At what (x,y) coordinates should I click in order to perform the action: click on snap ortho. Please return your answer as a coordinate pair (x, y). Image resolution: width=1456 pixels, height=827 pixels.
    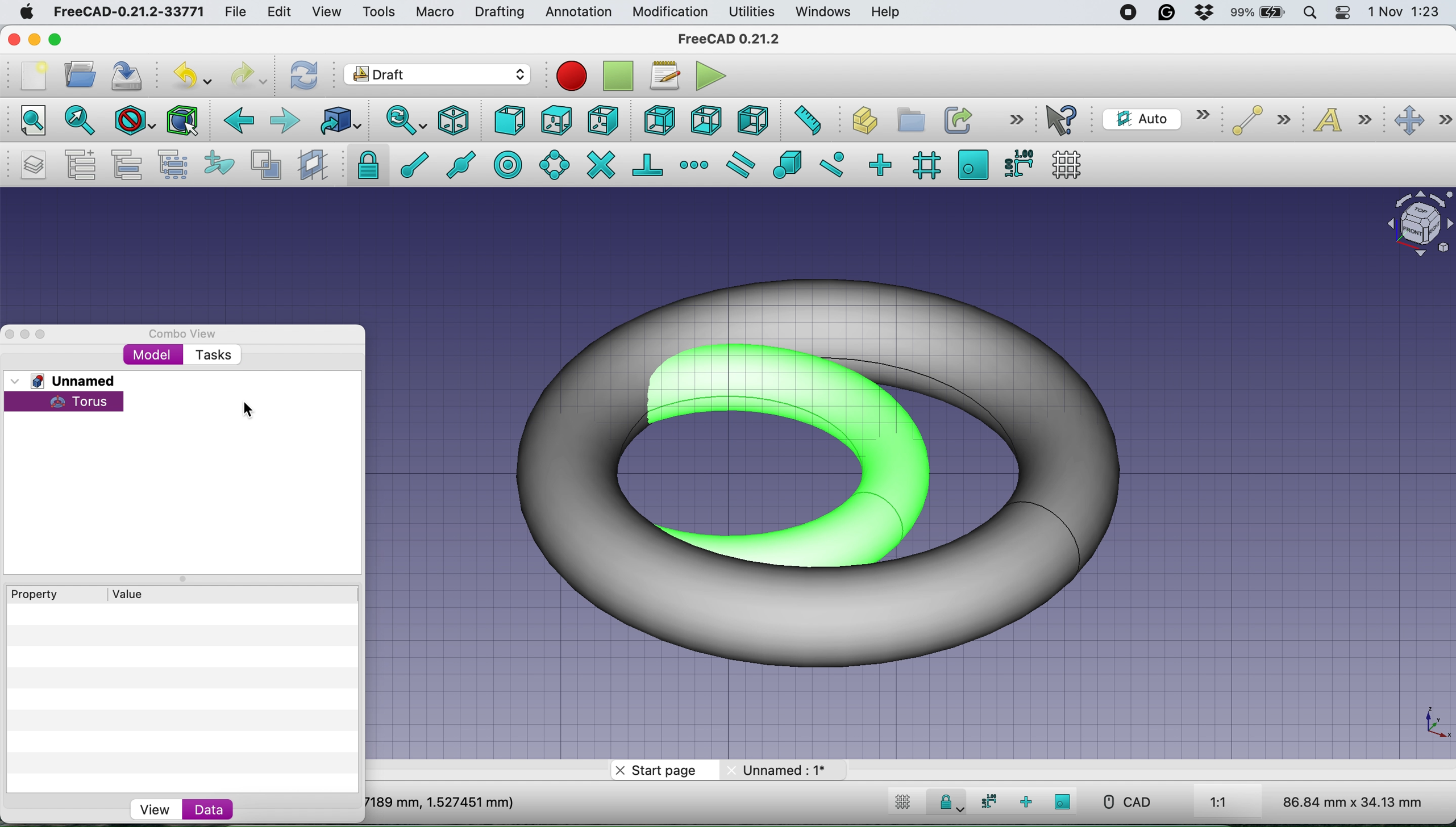
    Looking at the image, I should click on (1024, 801).